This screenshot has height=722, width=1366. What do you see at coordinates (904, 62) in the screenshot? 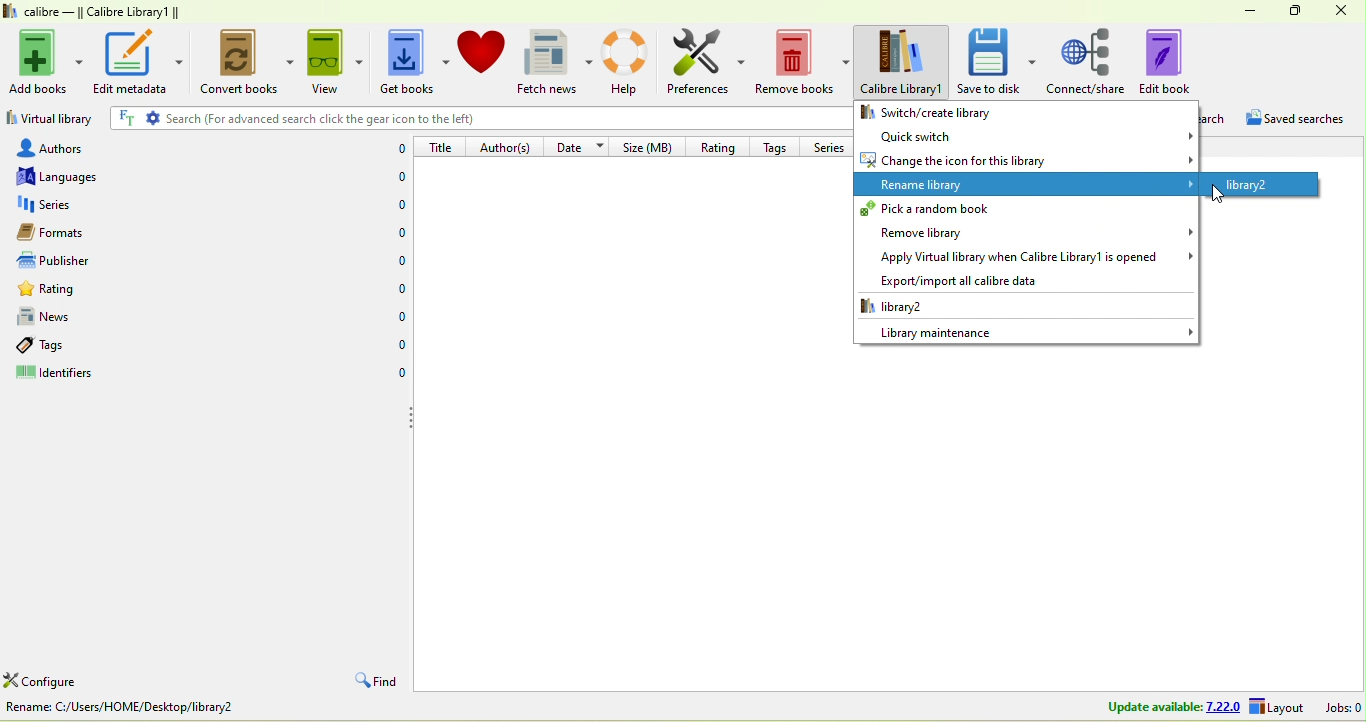
I see `calibre library1` at bounding box center [904, 62].